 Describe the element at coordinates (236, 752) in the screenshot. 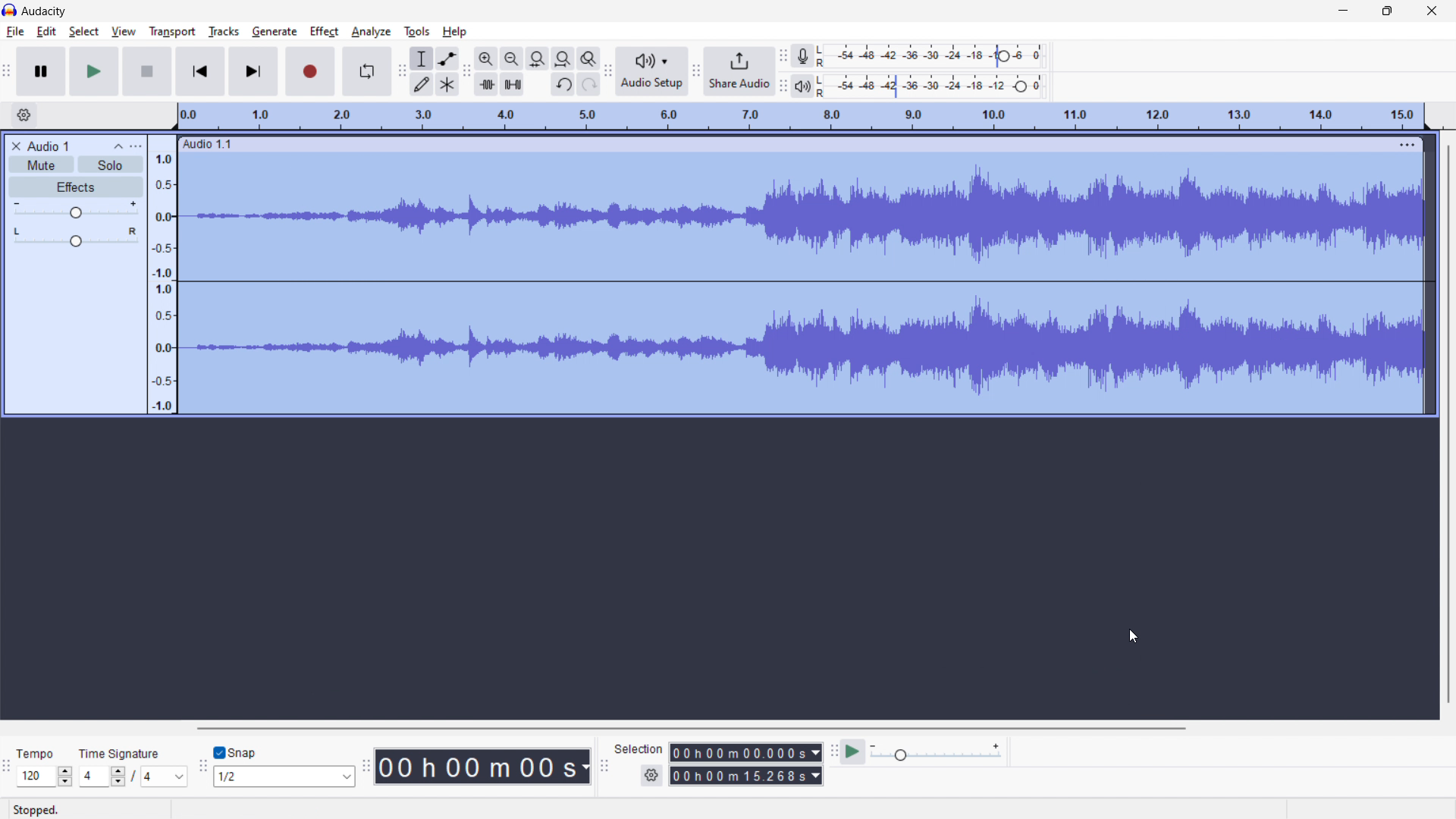

I see `snap toggle` at that location.